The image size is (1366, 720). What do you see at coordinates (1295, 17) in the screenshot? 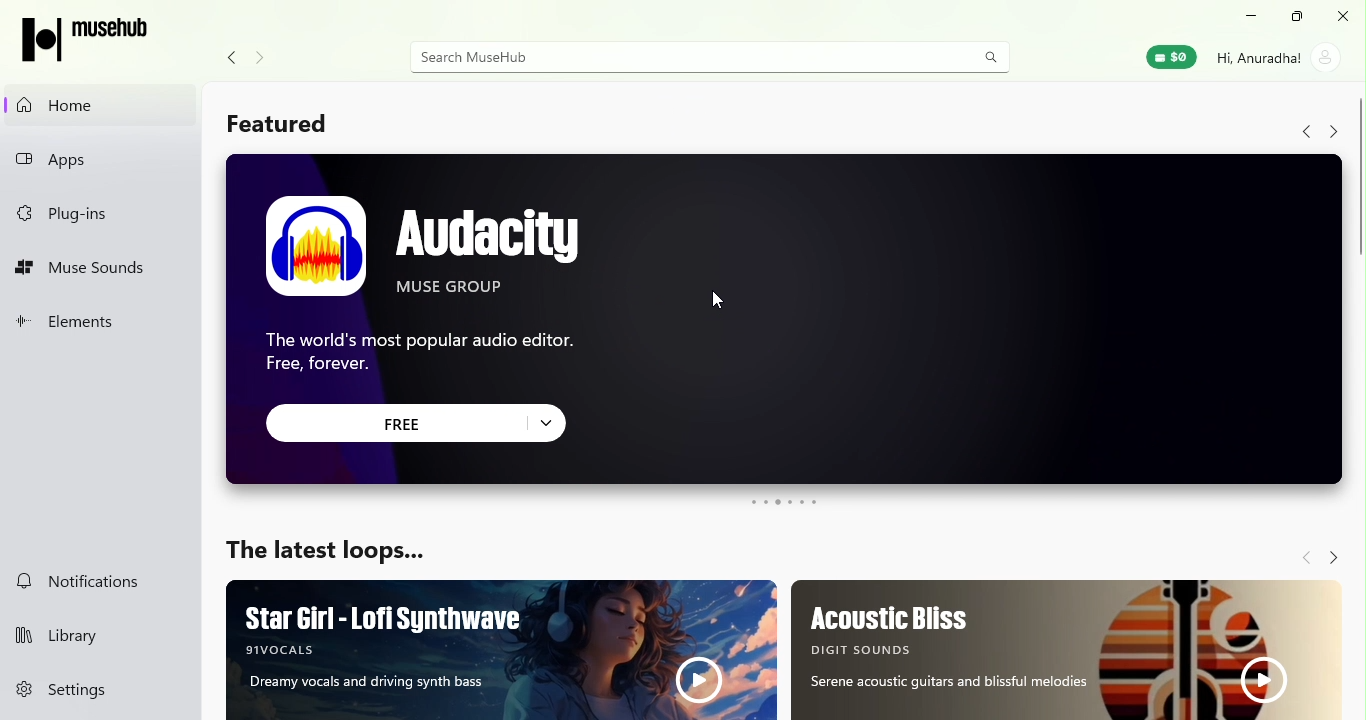
I see `Maximize` at bounding box center [1295, 17].